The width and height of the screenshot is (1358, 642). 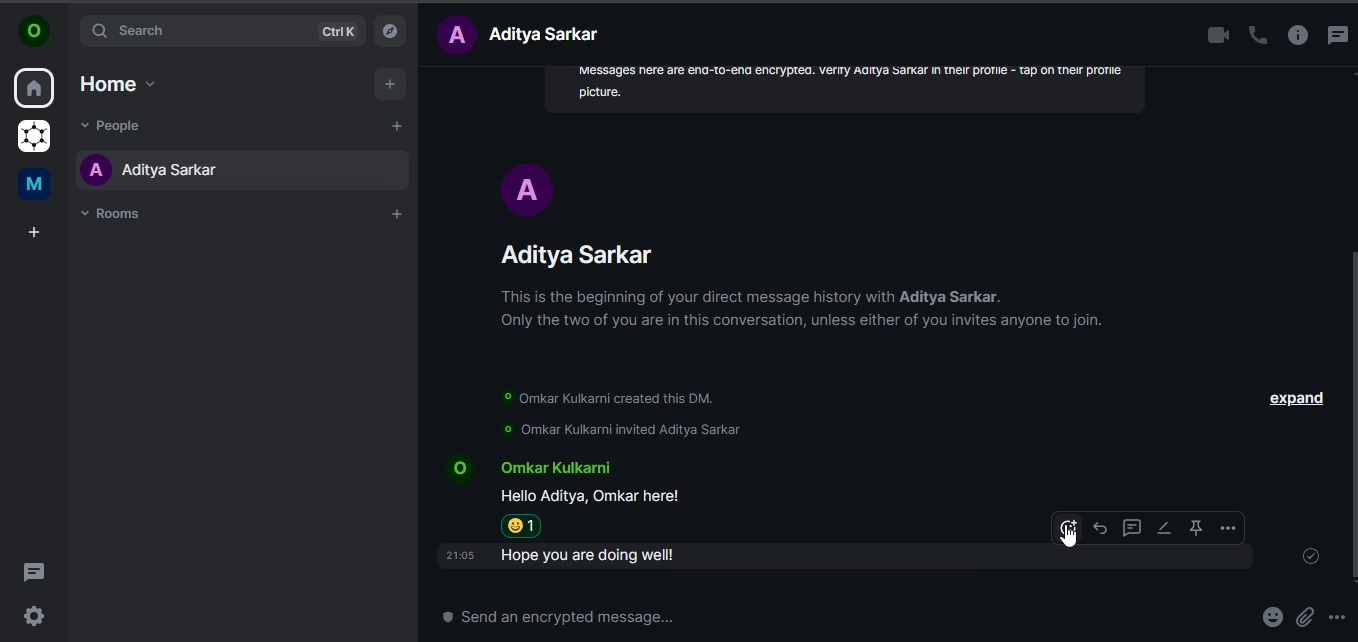 What do you see at coordinates (1099, 526) in the screenshot?
I see `reply` at bounding box center [1099, 526].